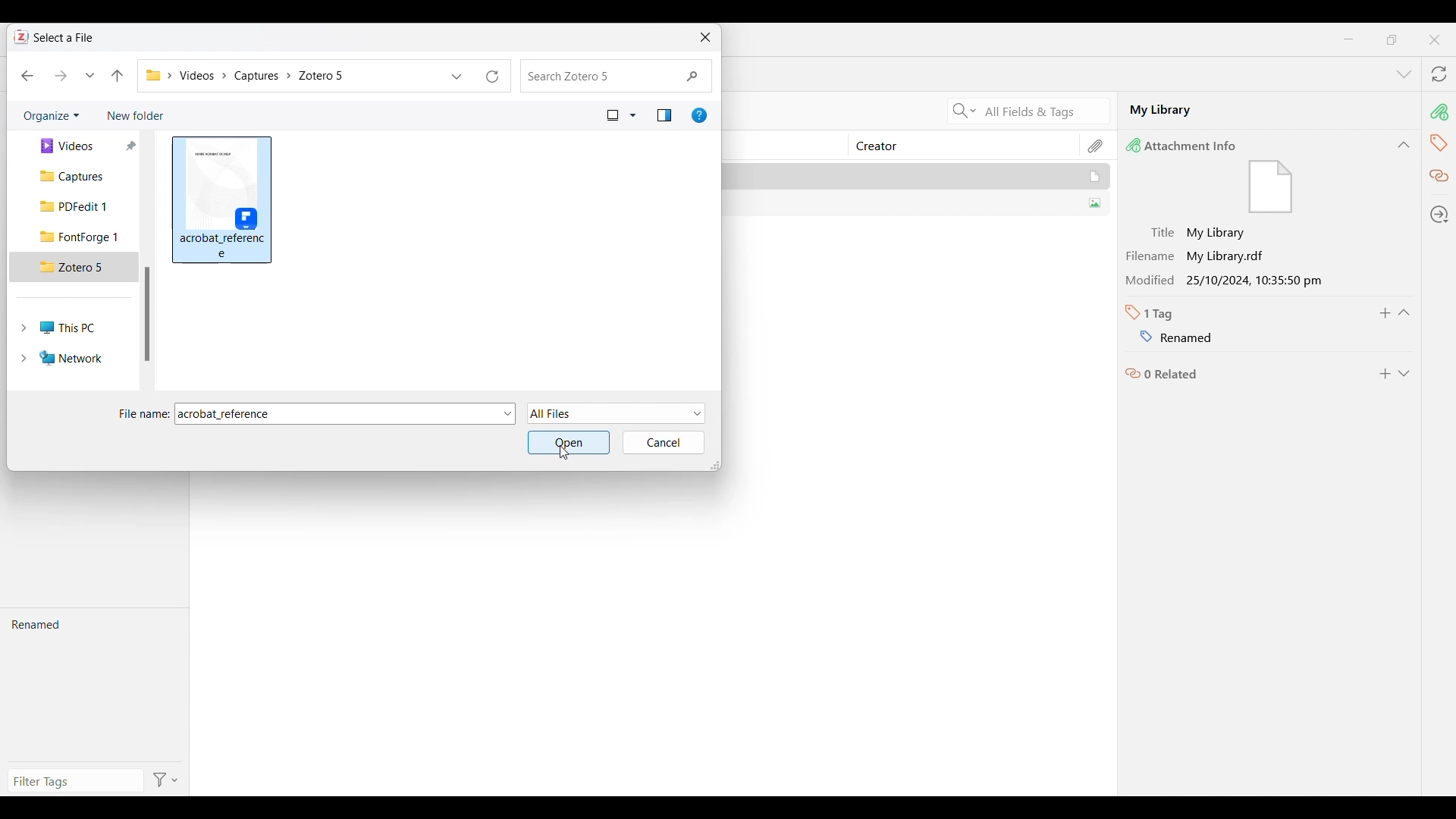  What do you see at coordinates (508, 415) in the screenshot?
I see `File options` at bounding box center [508, 415].